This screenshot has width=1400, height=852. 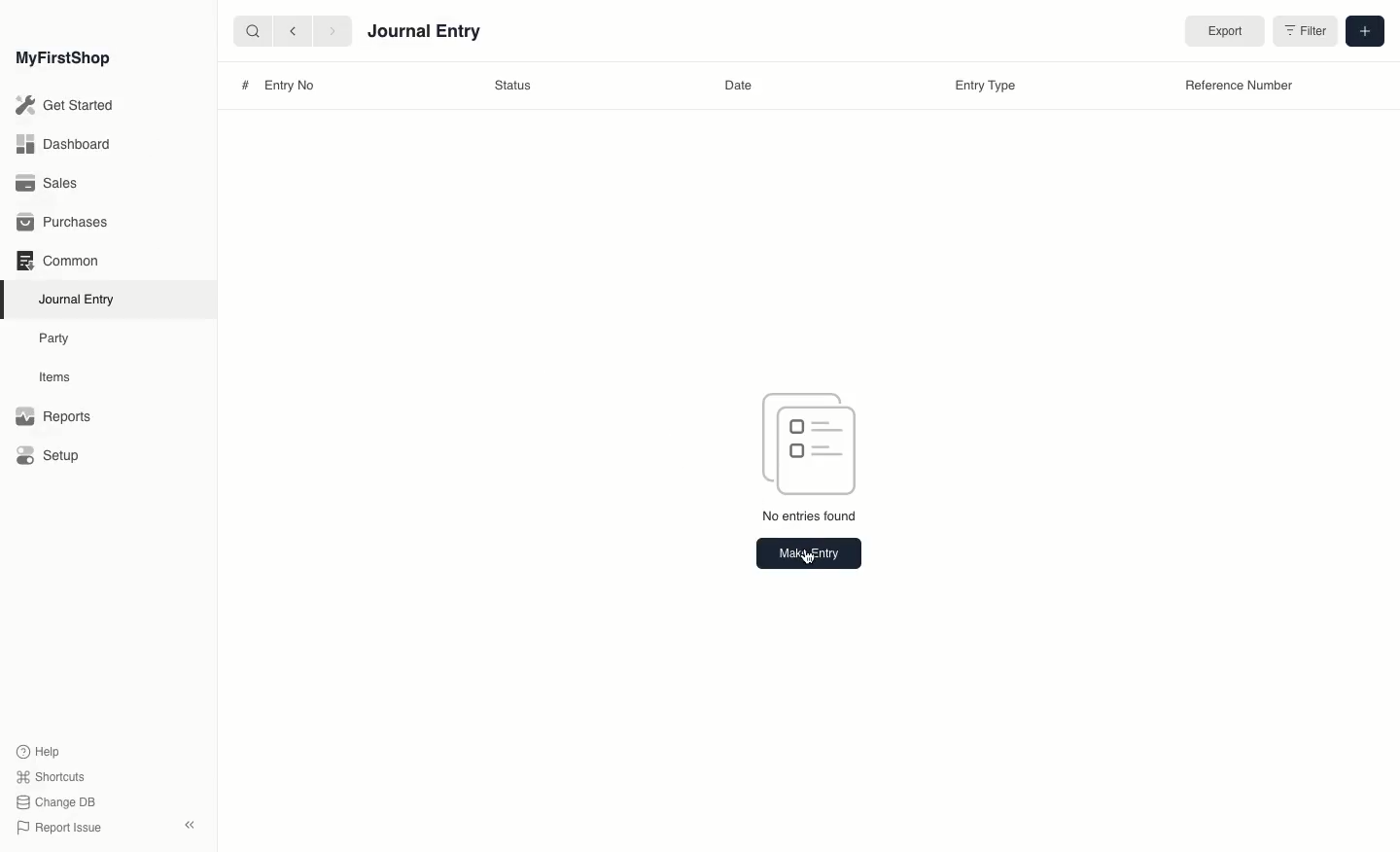 What do you see at coordinates (82, 299) in the screenshot?
I see `Journal Entry` at bounding box center [82, 299].